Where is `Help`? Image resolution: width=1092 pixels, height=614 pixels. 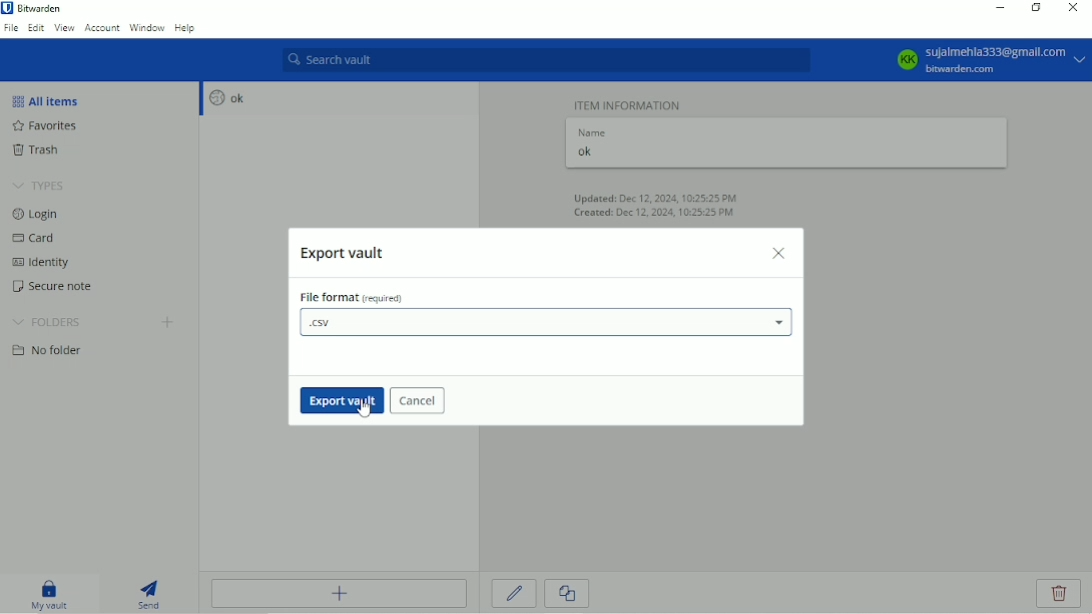 Help is located at coordinates (186, 29).